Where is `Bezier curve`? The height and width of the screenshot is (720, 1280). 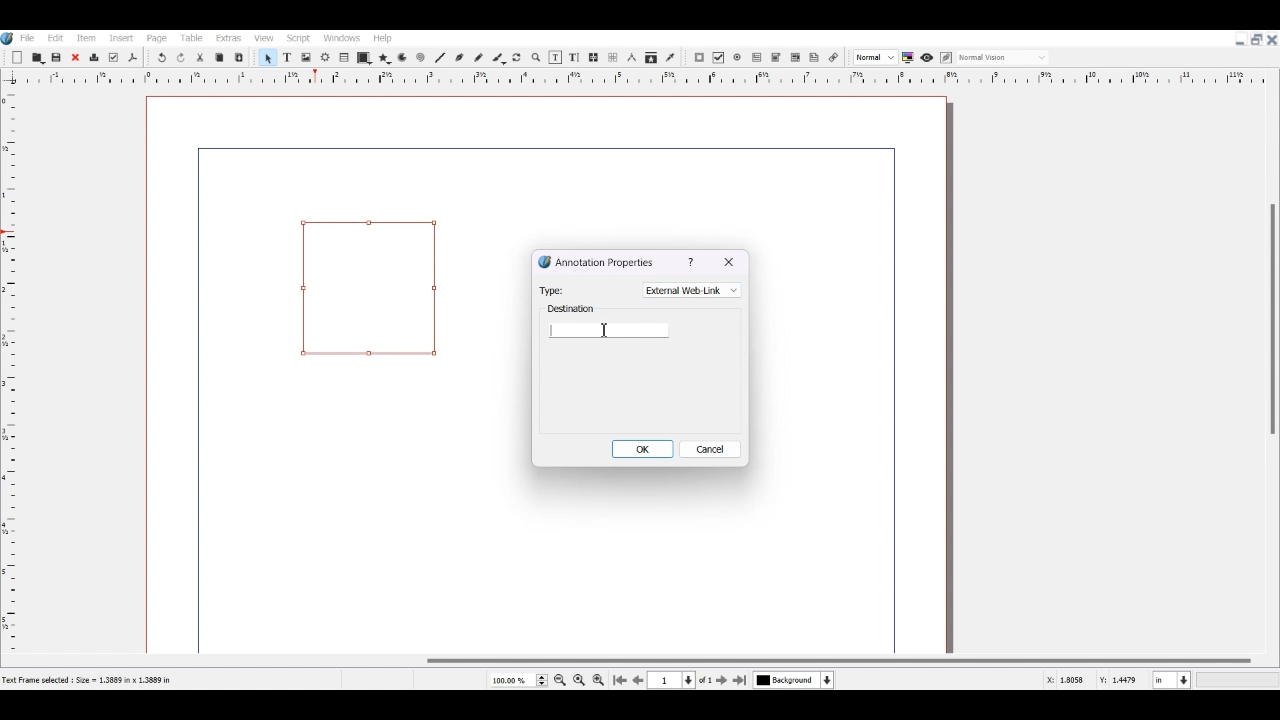 Bezier curve is located at coordinates (459, 57).